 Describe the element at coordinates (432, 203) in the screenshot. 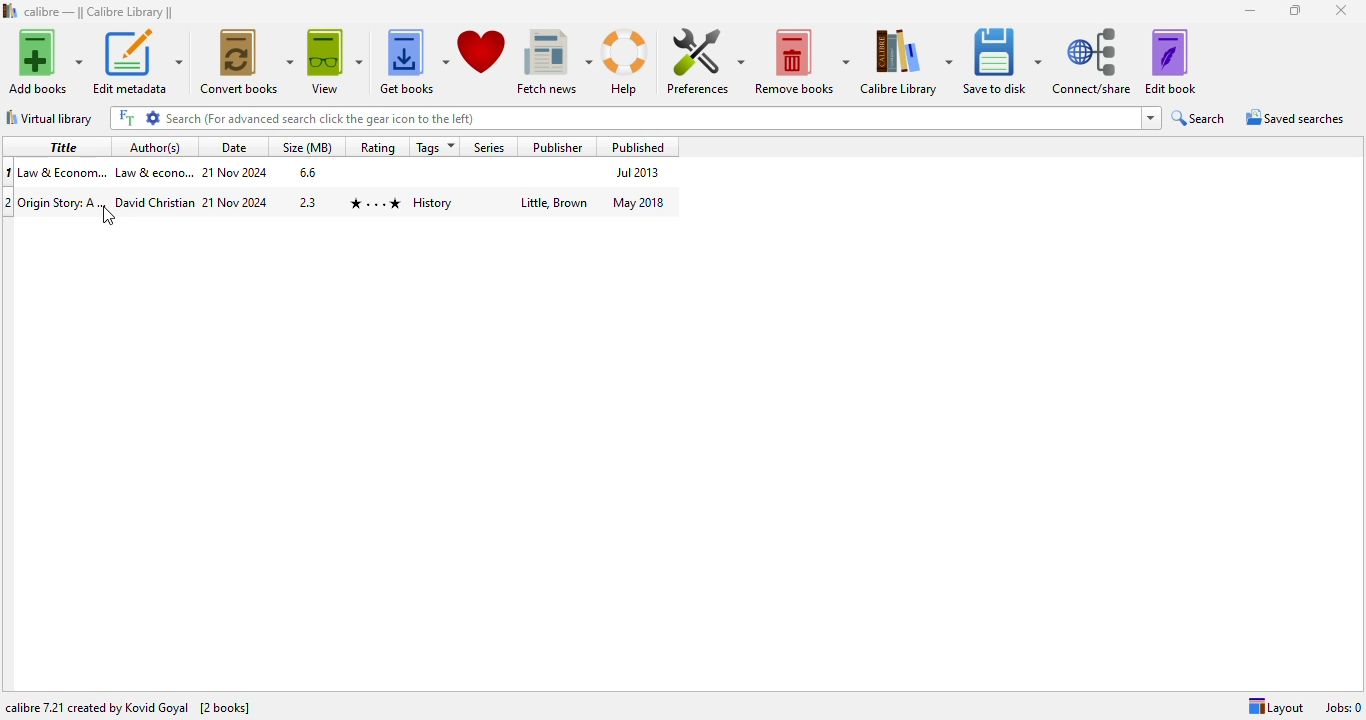

I see `history` at that location.